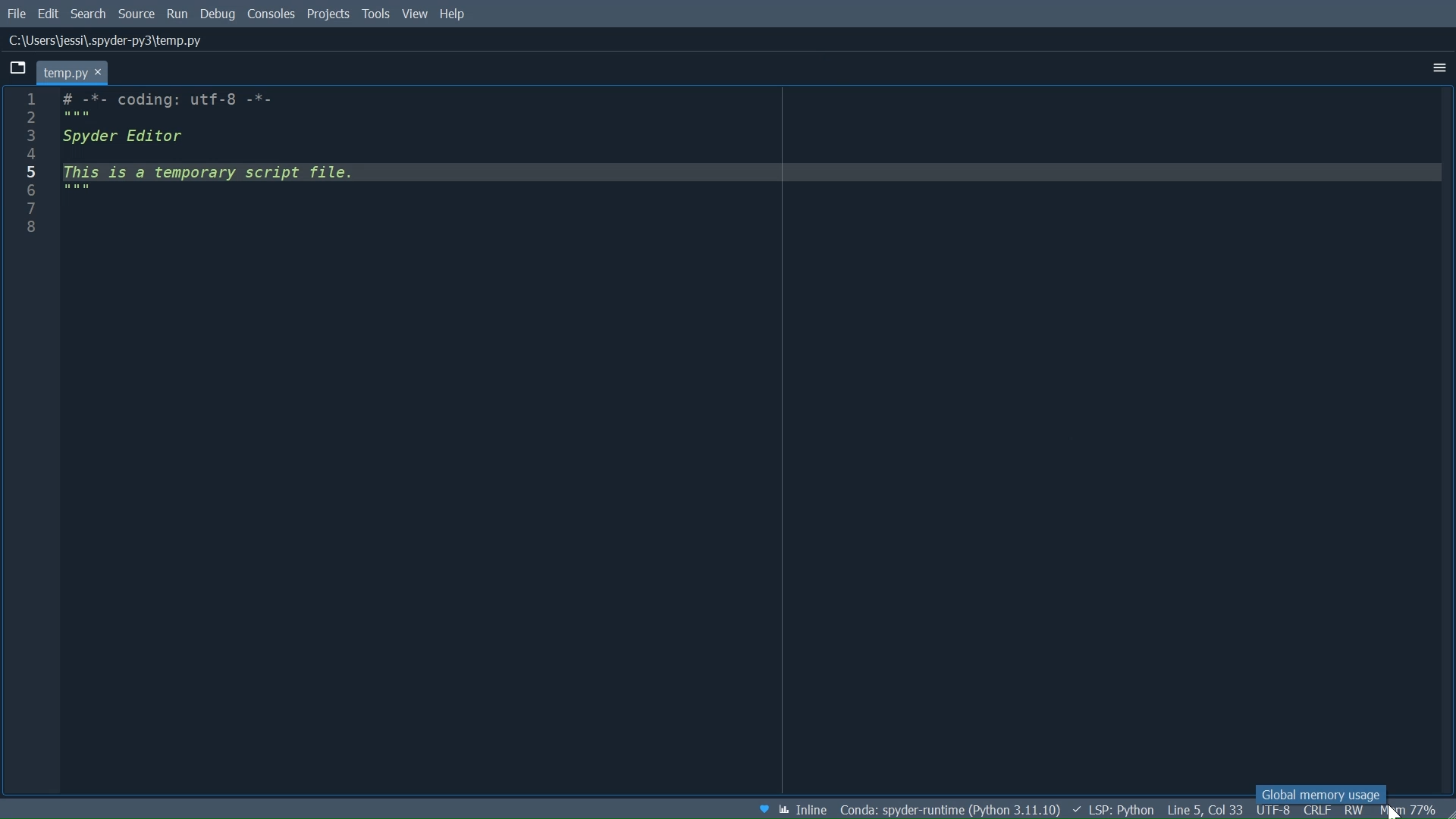  What do you see at coordinates (271, 16) in the screenshot?
I see `Consoles` at bounding box center [271, 16].